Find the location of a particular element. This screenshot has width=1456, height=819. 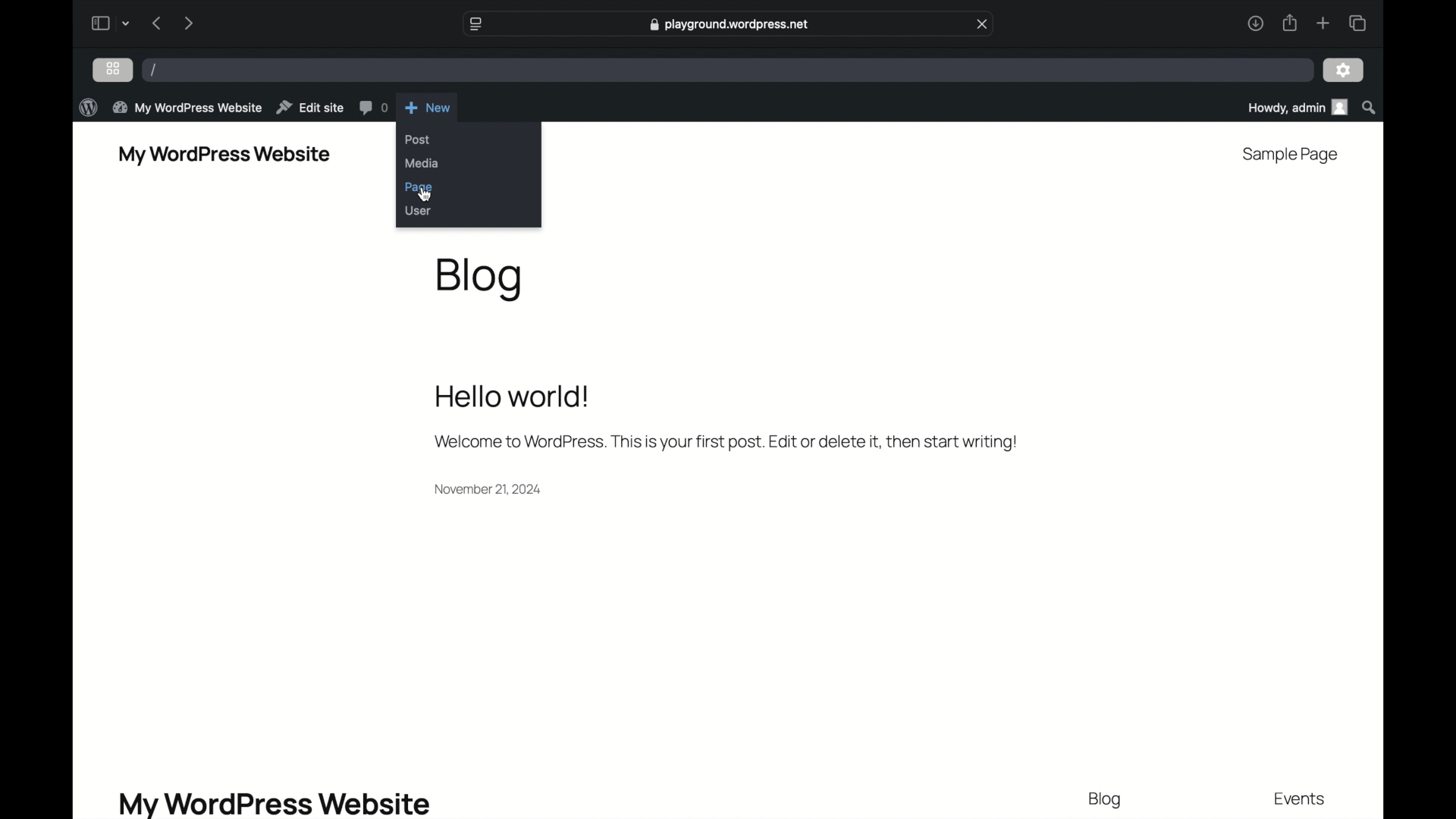

new tab is located at coordinates (1323, 23).